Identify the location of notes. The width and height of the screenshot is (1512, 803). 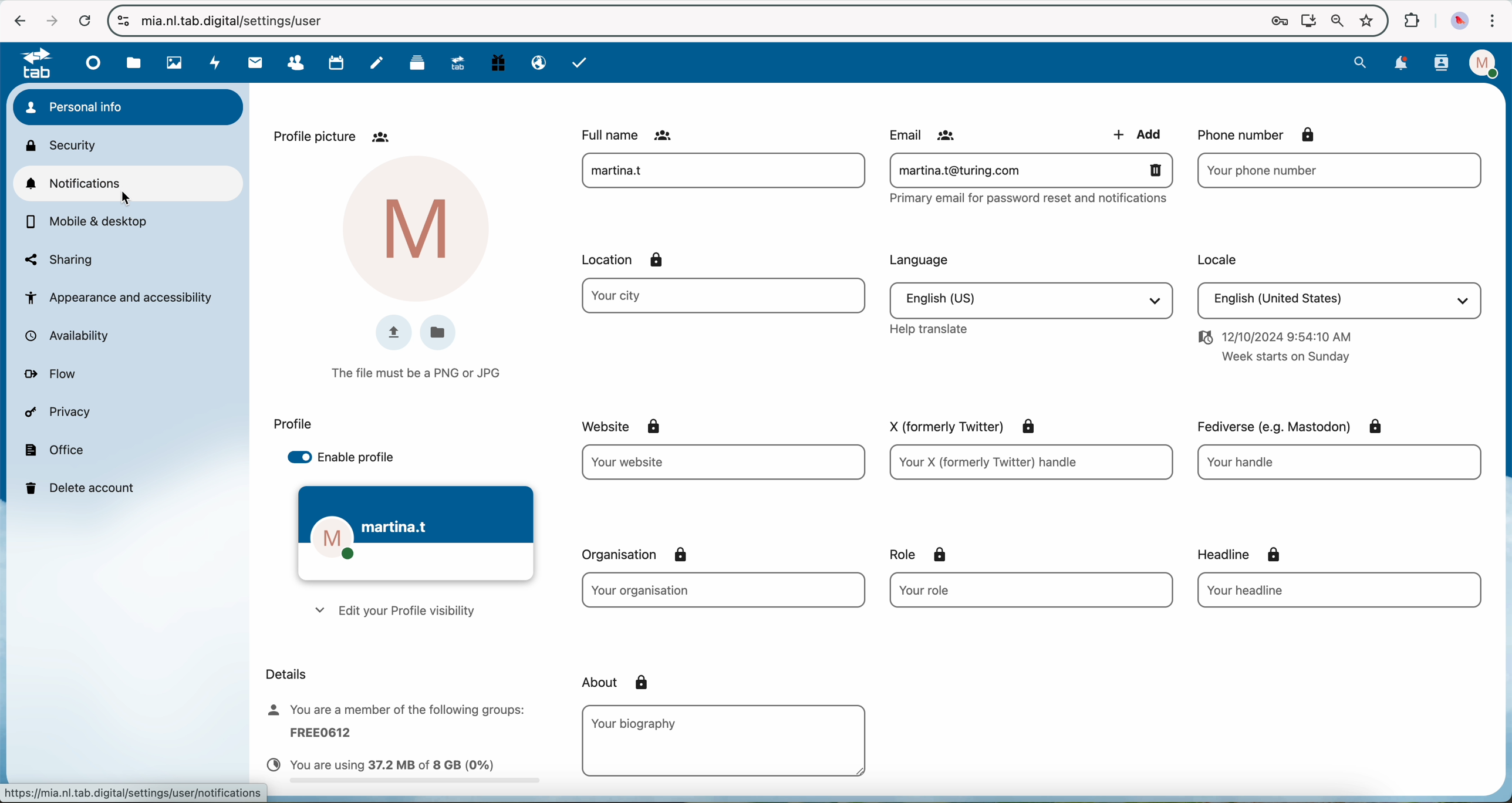
(377, 63).